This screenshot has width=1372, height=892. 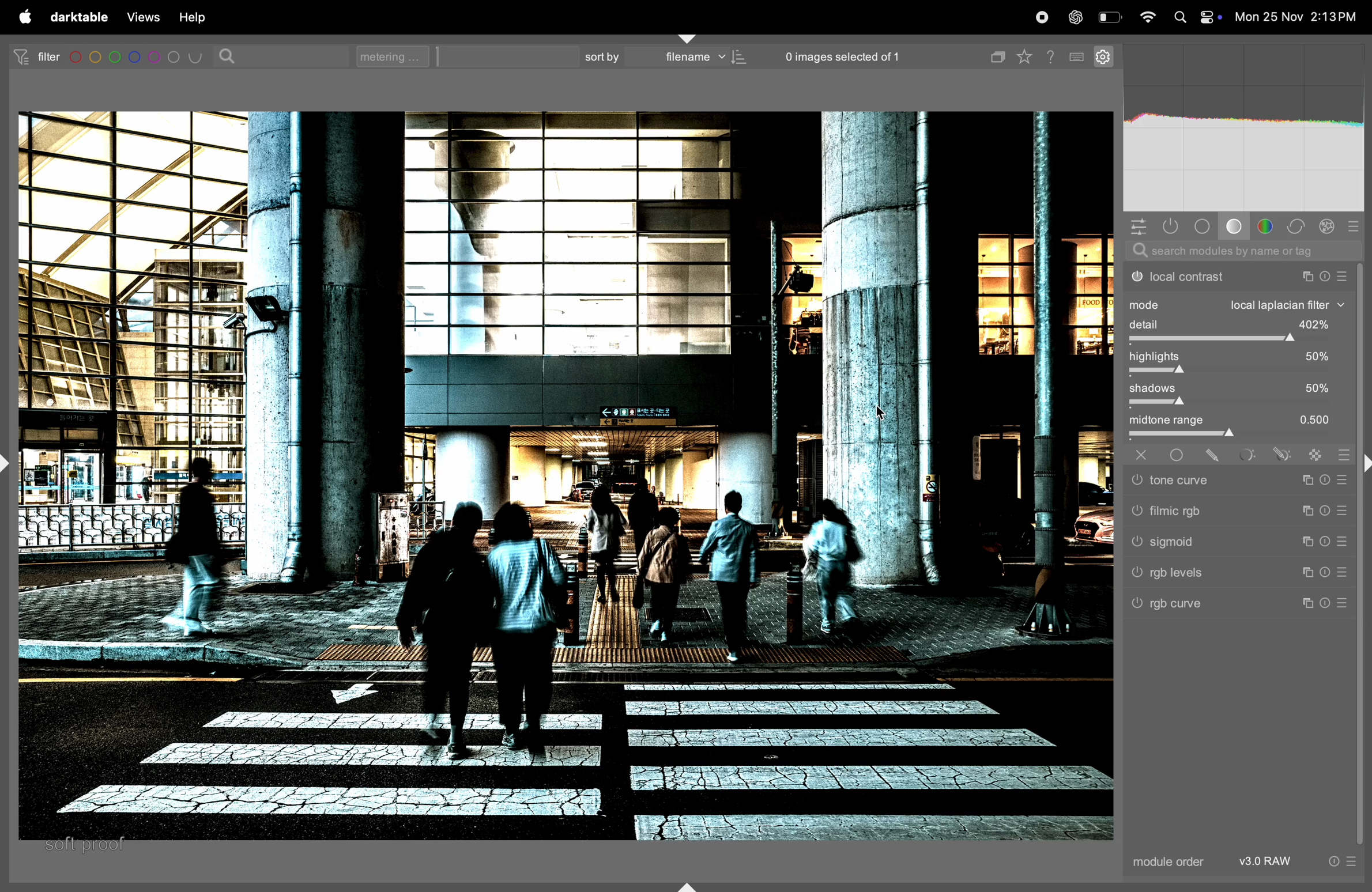 I want to click on darktable, so click(x=78, y=17).